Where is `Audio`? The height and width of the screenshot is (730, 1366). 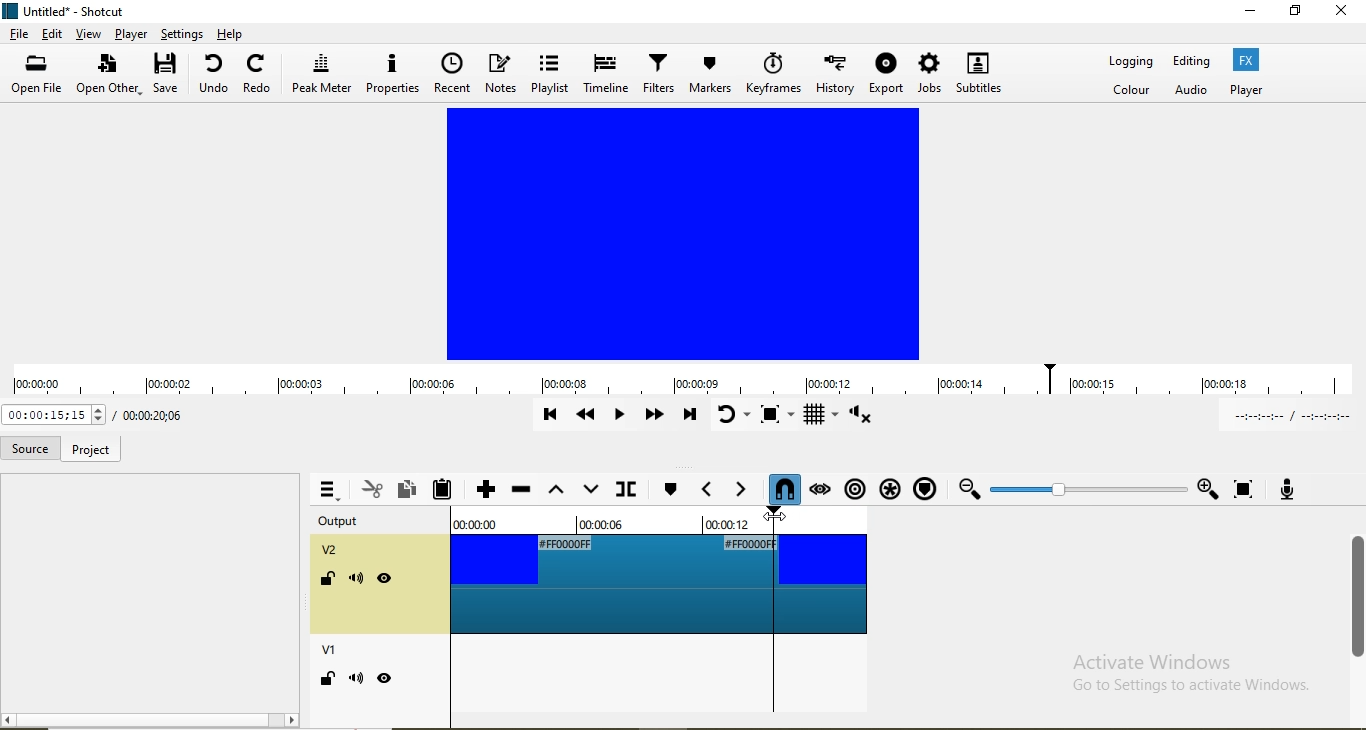 Audio is located at coordinates (1193, 91).